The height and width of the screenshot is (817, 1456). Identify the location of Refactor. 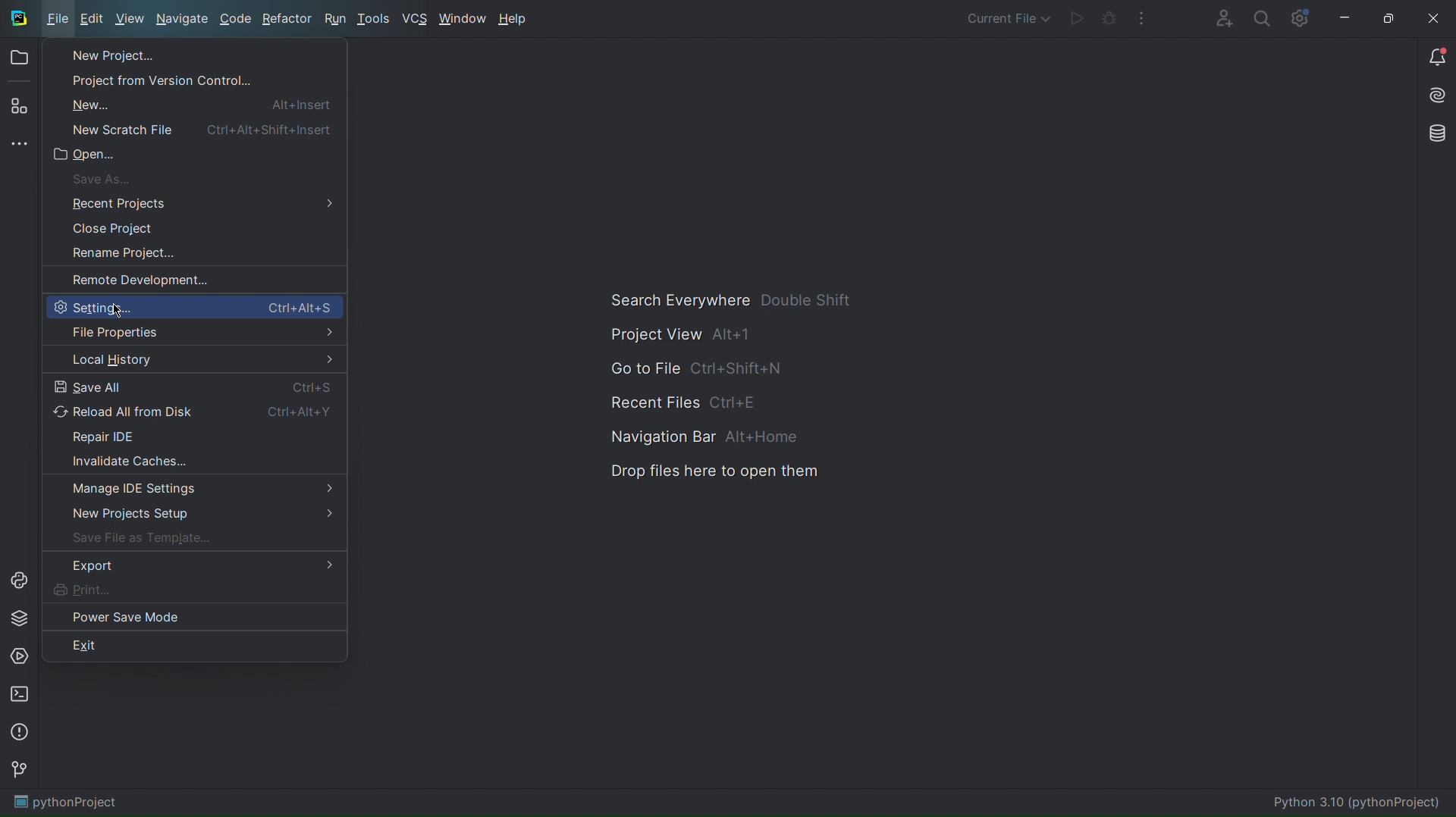
(288, 20).